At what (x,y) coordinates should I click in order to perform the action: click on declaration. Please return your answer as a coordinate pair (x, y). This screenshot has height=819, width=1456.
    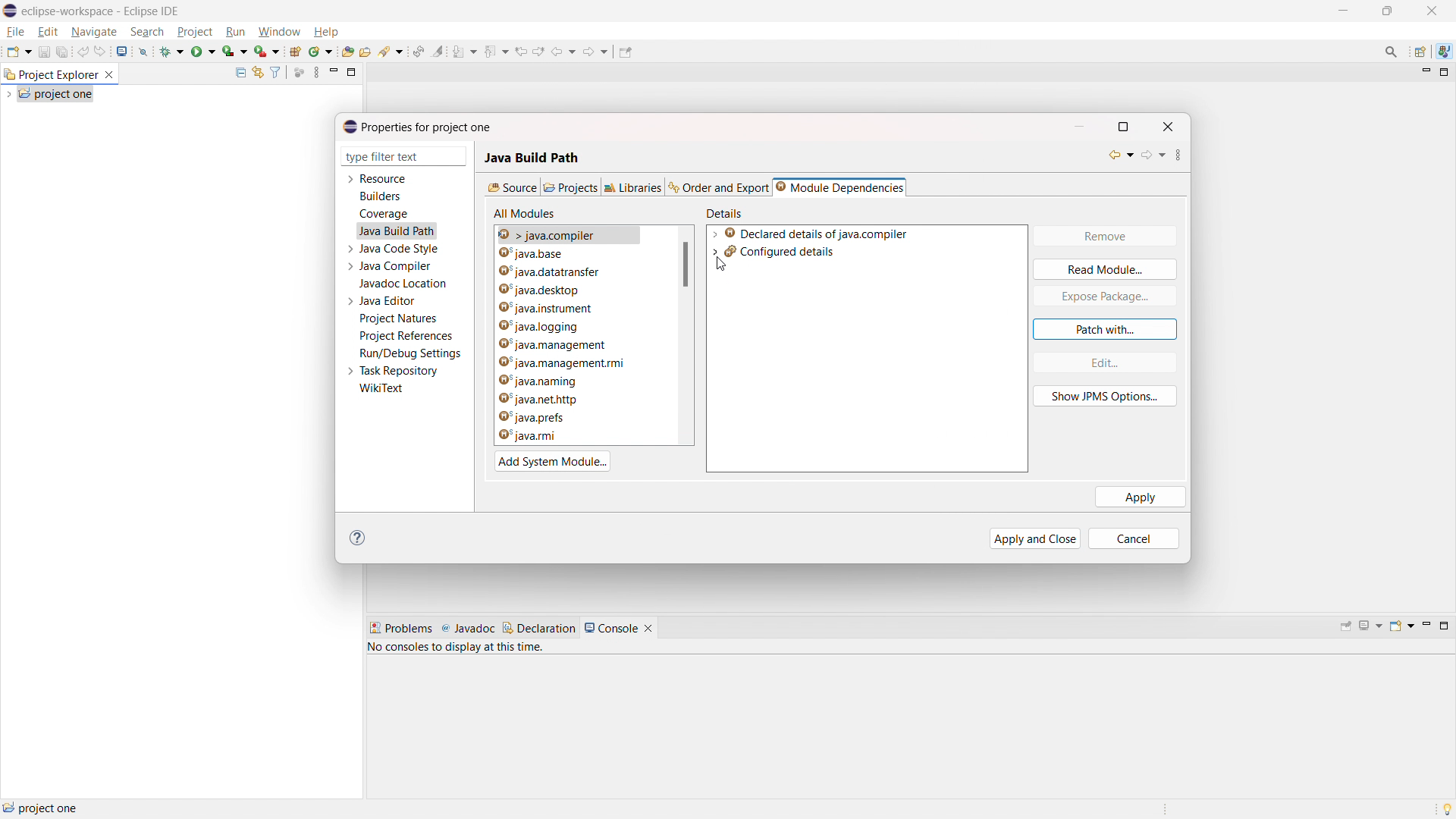
    Looking at the image, I should click on (539, 628).